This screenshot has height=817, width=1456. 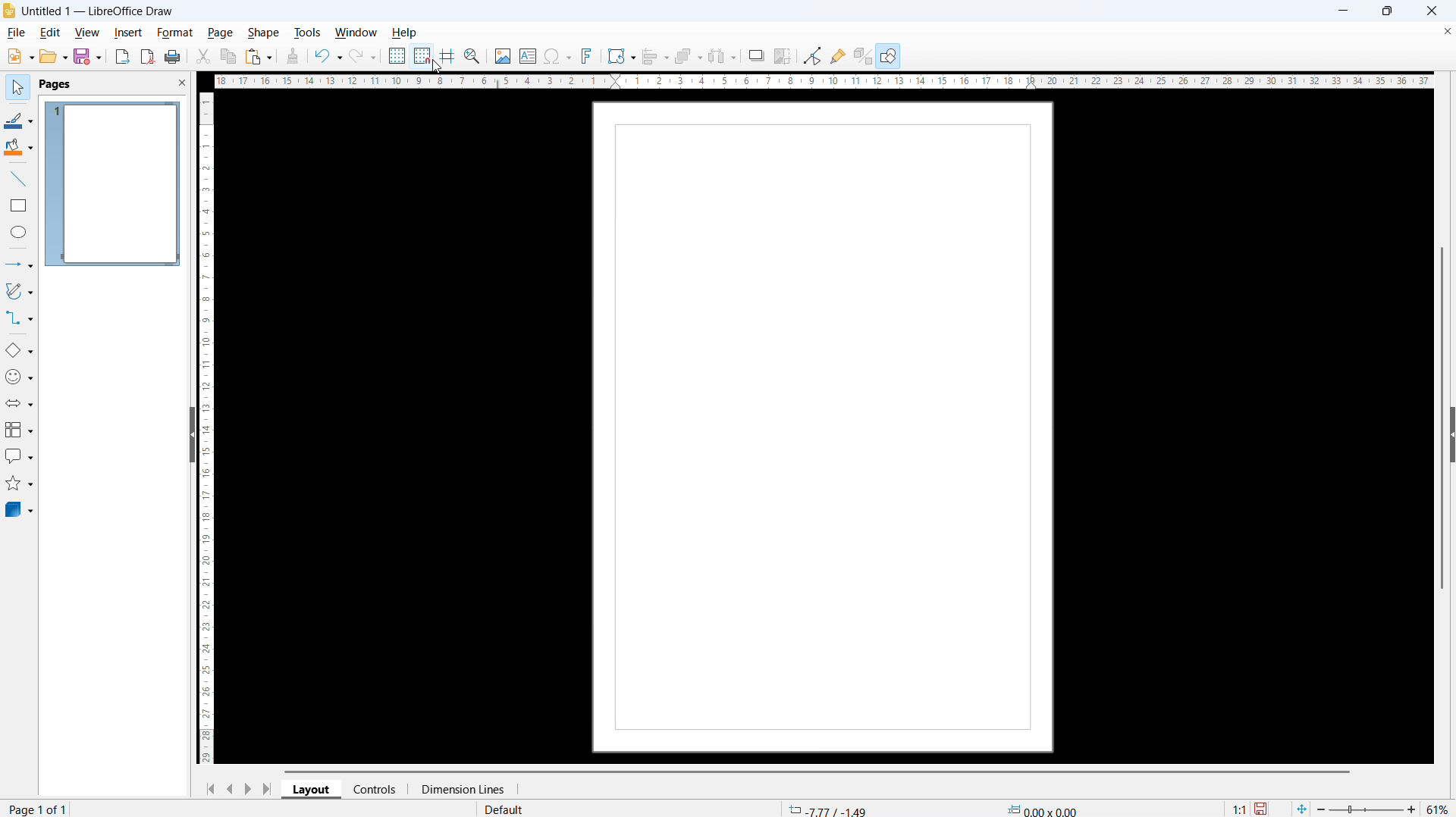 What do you see at coordinates (823, 426) in the screenshot?
I see `Page ` at bounding box center [823, 426].